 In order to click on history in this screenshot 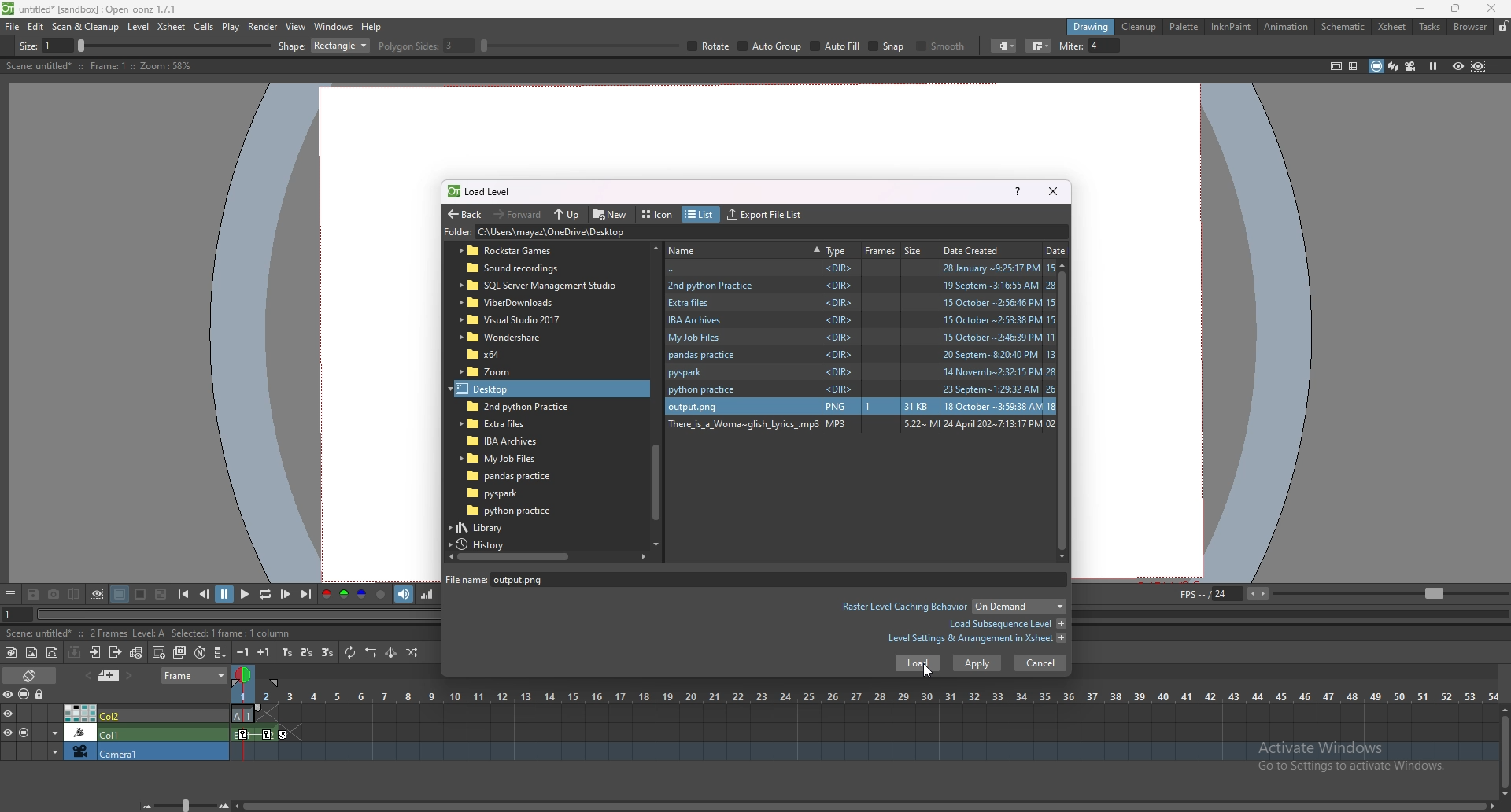, I will do `click(486, 544)`.